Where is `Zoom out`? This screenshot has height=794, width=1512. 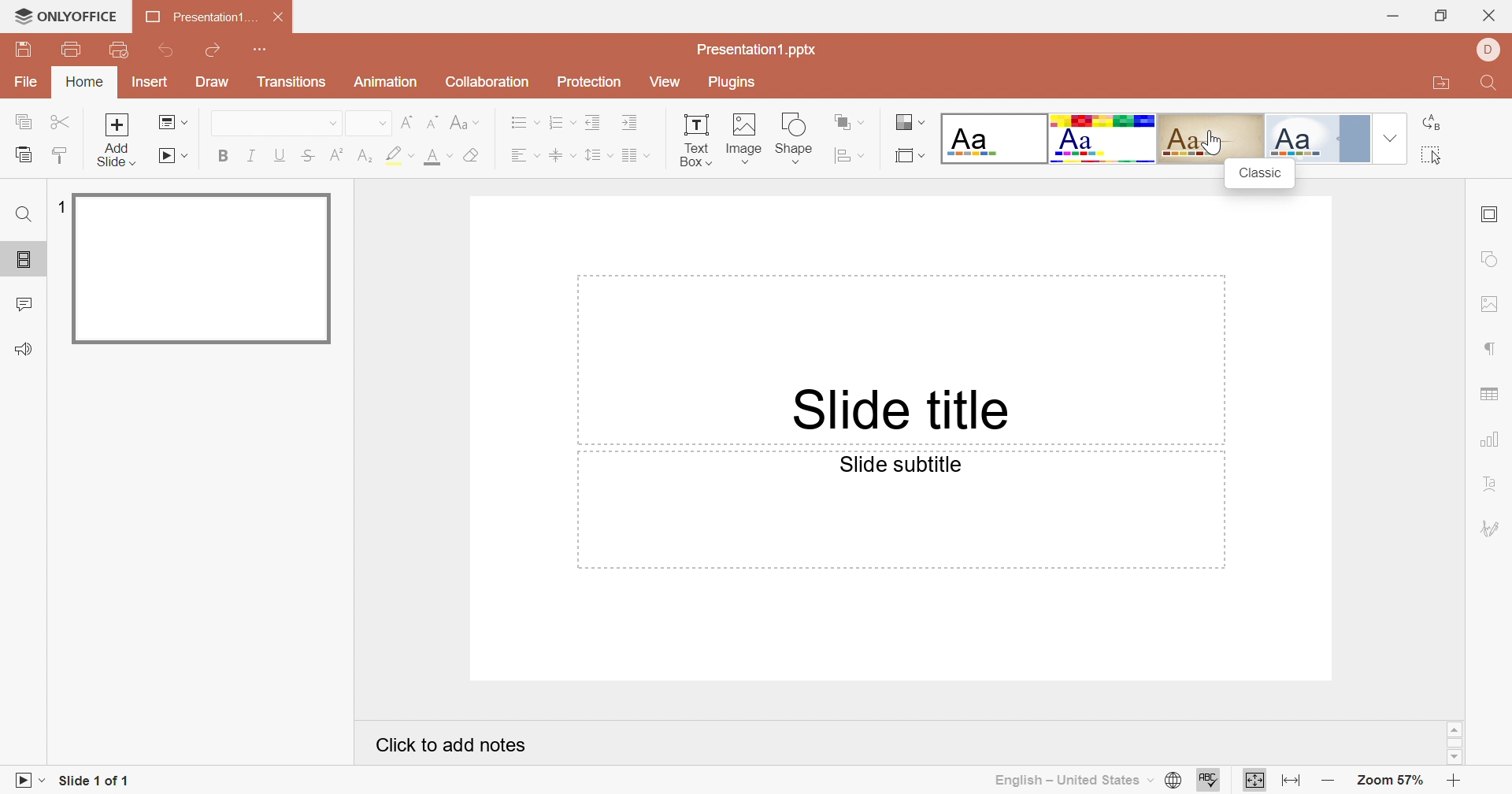 Zoom out is located at coordinates (1324, 780).